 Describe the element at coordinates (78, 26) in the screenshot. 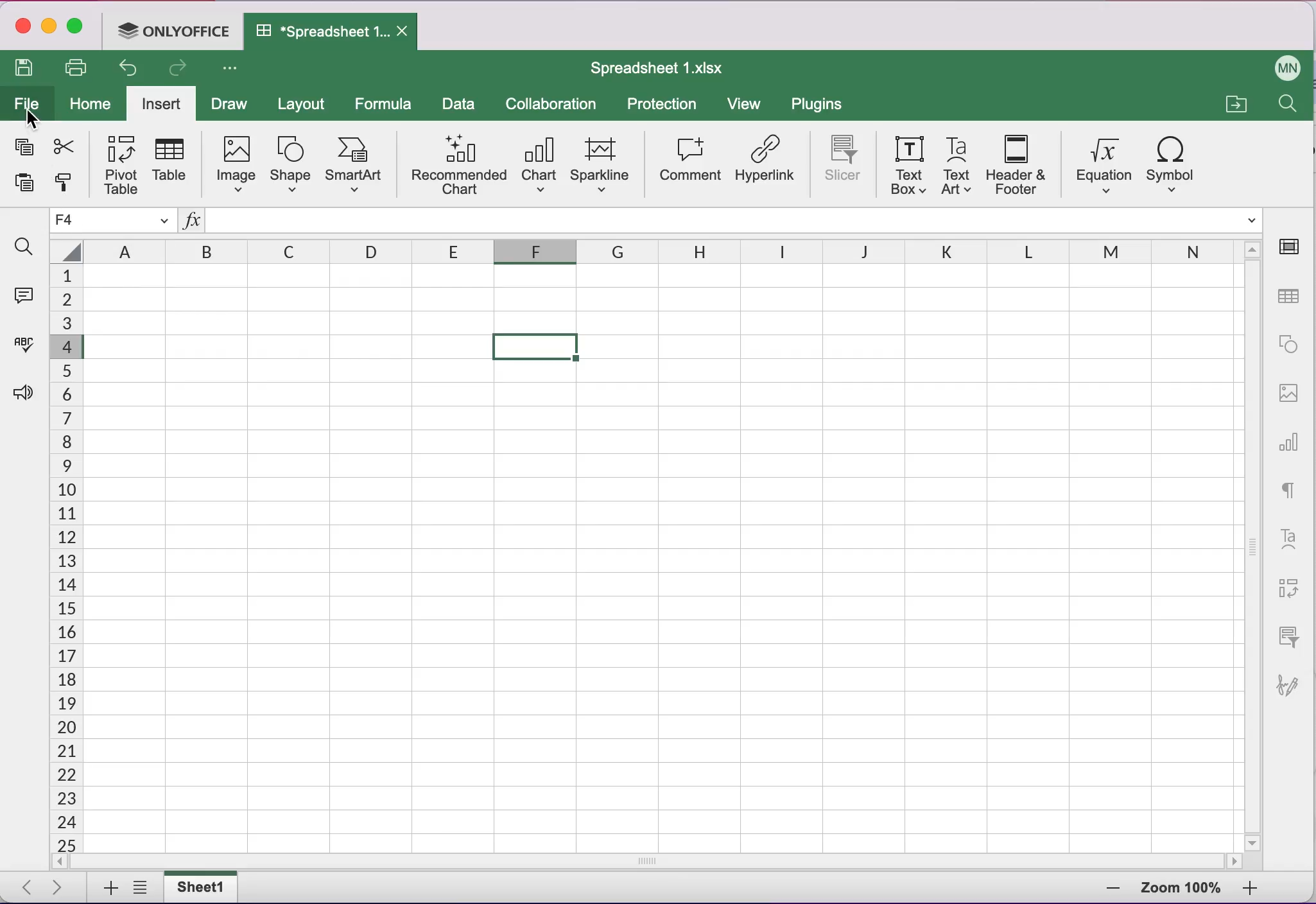

I see `maximize` at that location.